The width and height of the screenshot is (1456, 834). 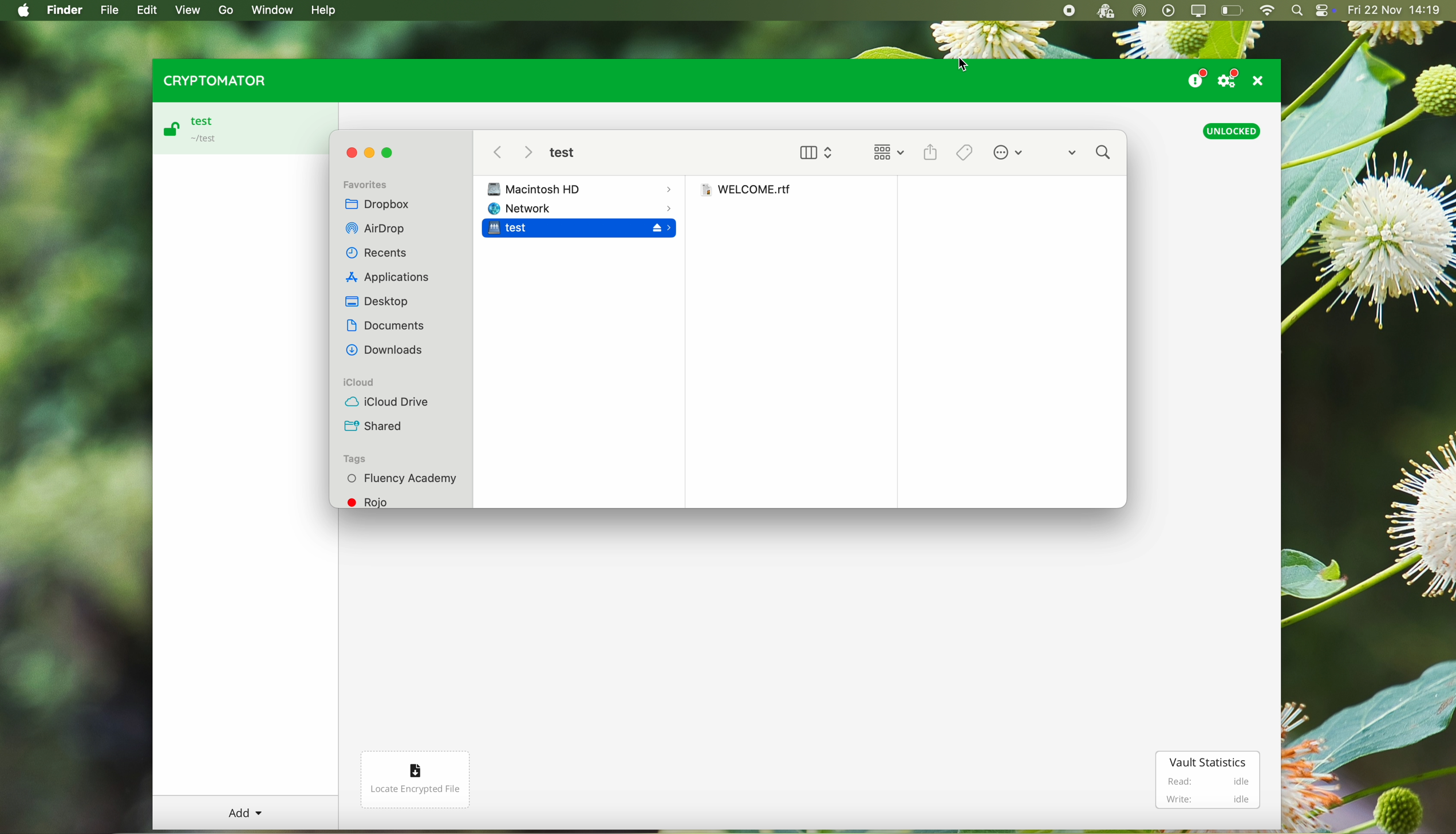 I want to click on Write: idle, so click(x=1207, y=798).